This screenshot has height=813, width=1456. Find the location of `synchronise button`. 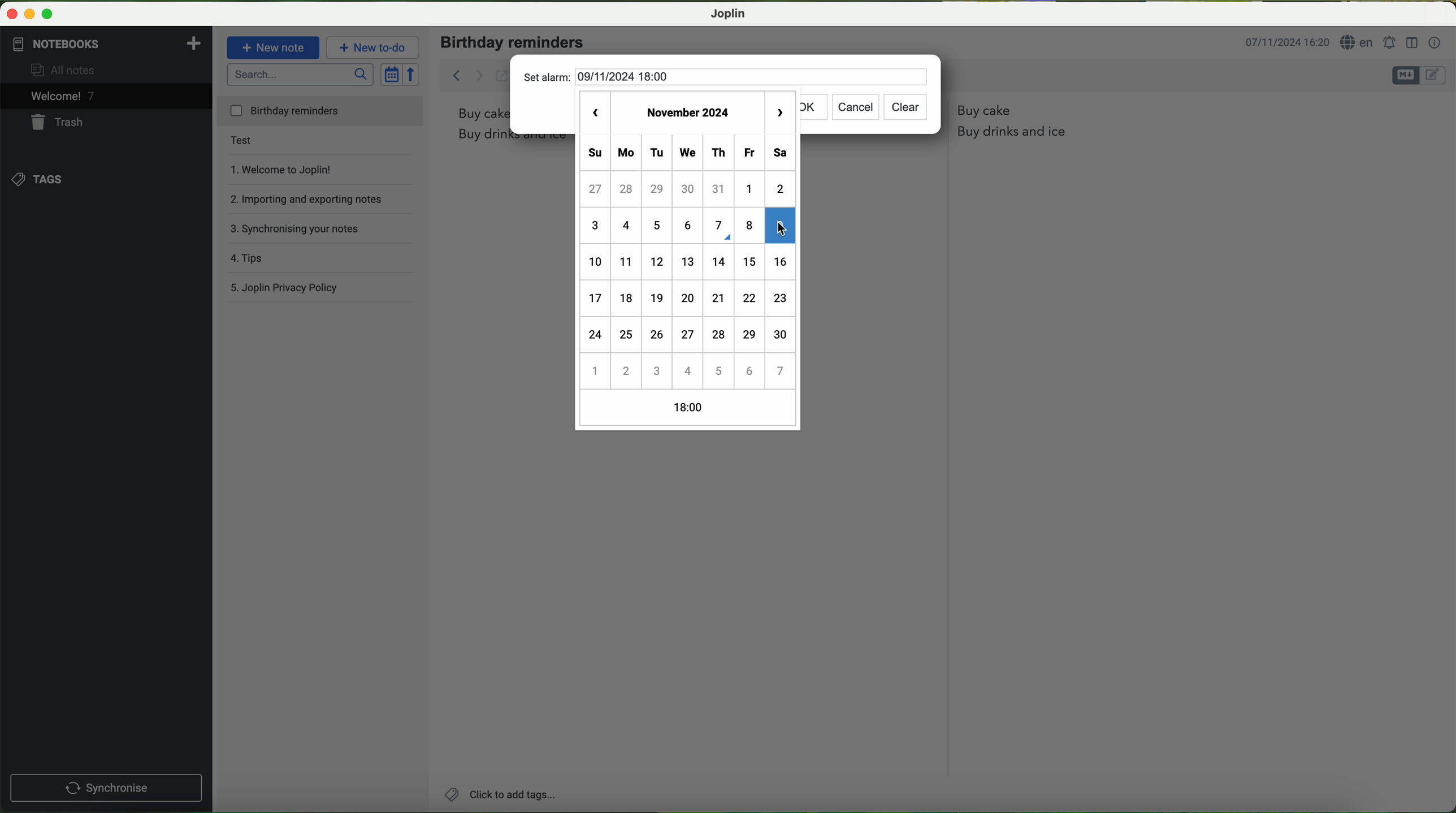

synchronise button is located at coordinates (105, 786).